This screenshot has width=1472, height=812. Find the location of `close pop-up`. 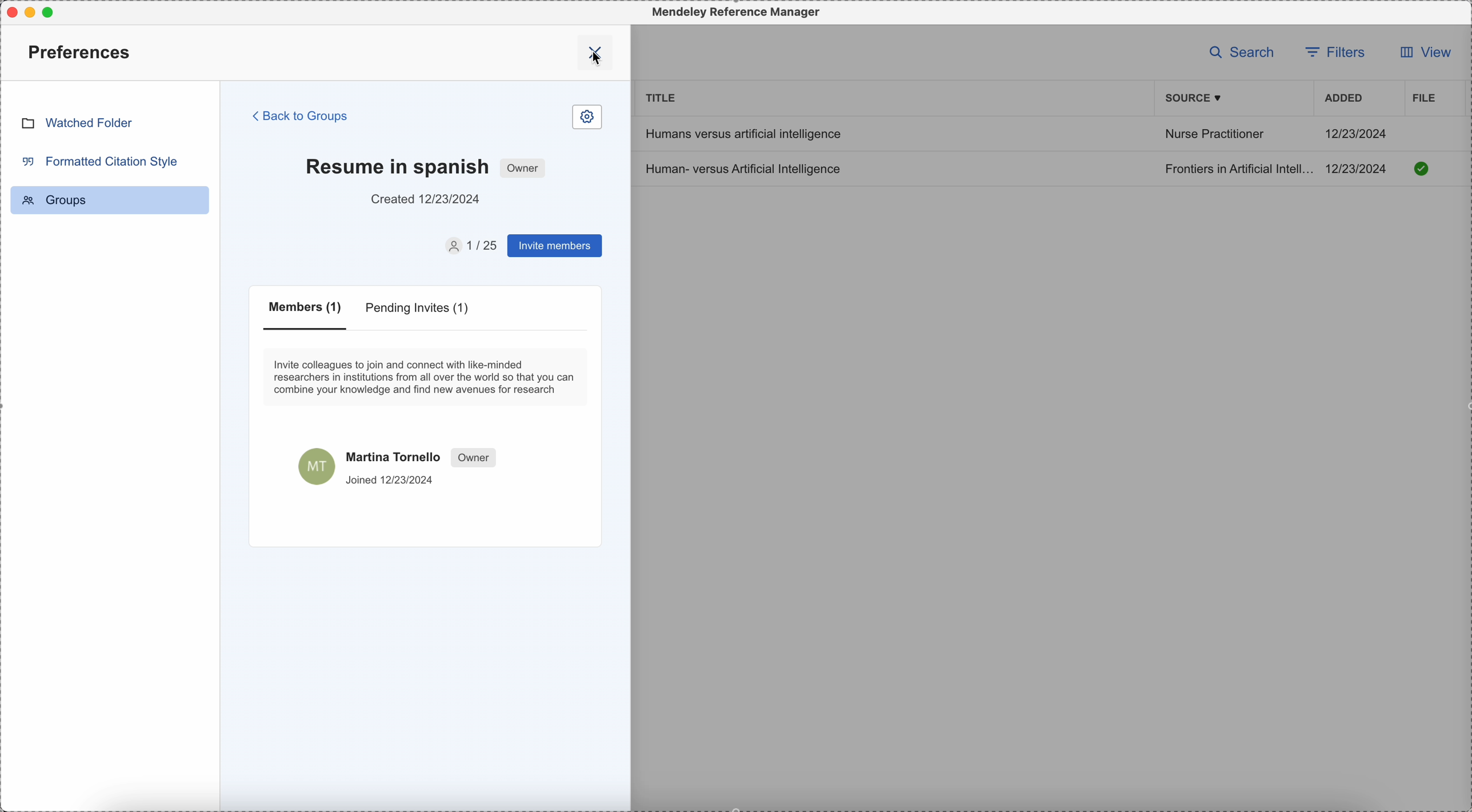

close pop-up is located at coordinates (597, 52).